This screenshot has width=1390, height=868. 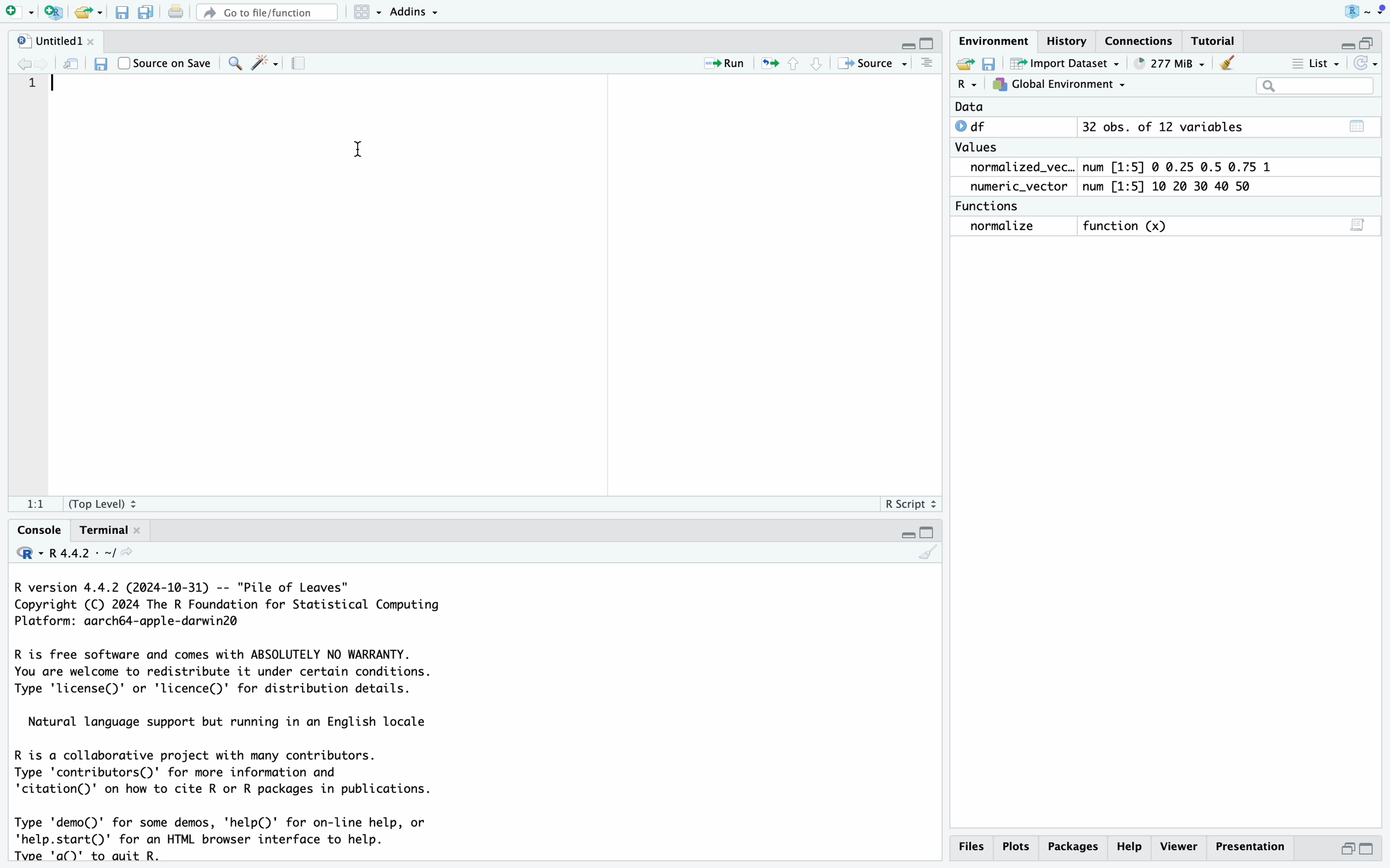 What do you see at coordinates (1017, 168) in the screenshot?
I see `normalized_vec..` at bounding box center [1017, 168].